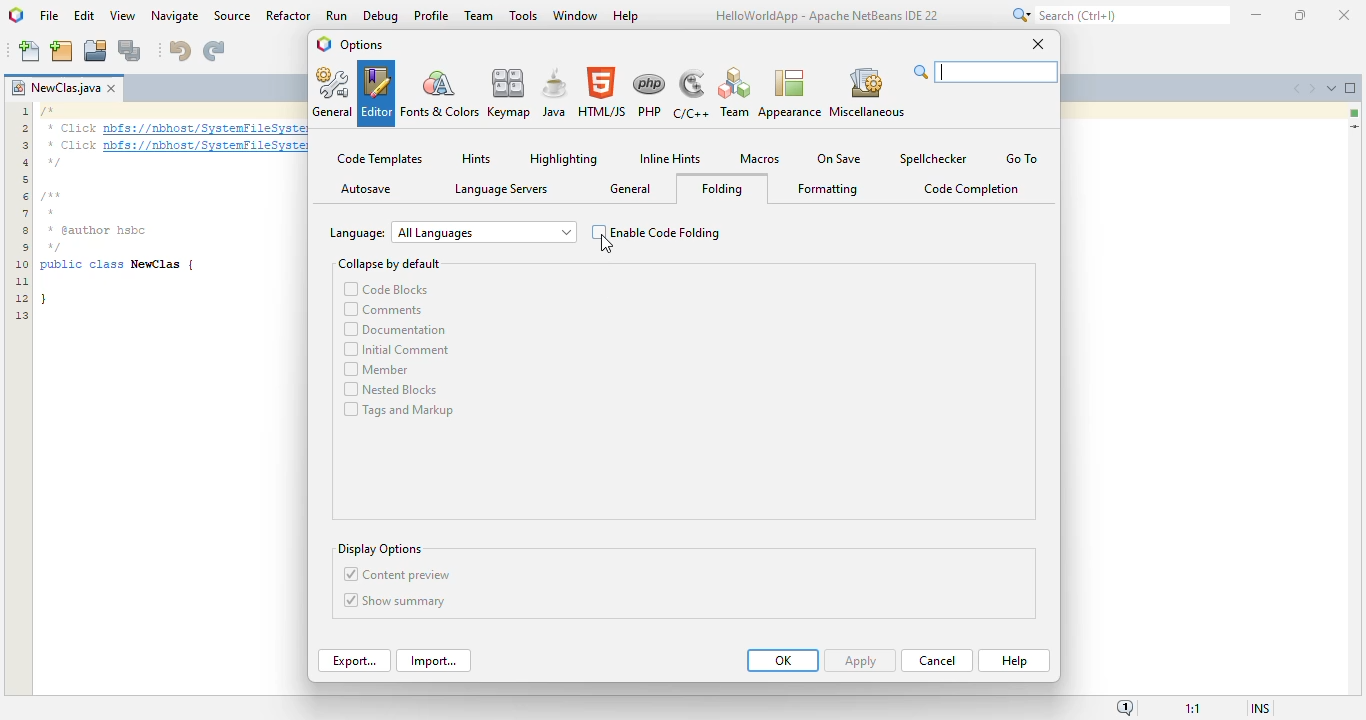 The height and width of the screenshot is (720, 1366). I want to click on java, so click(556, 93).